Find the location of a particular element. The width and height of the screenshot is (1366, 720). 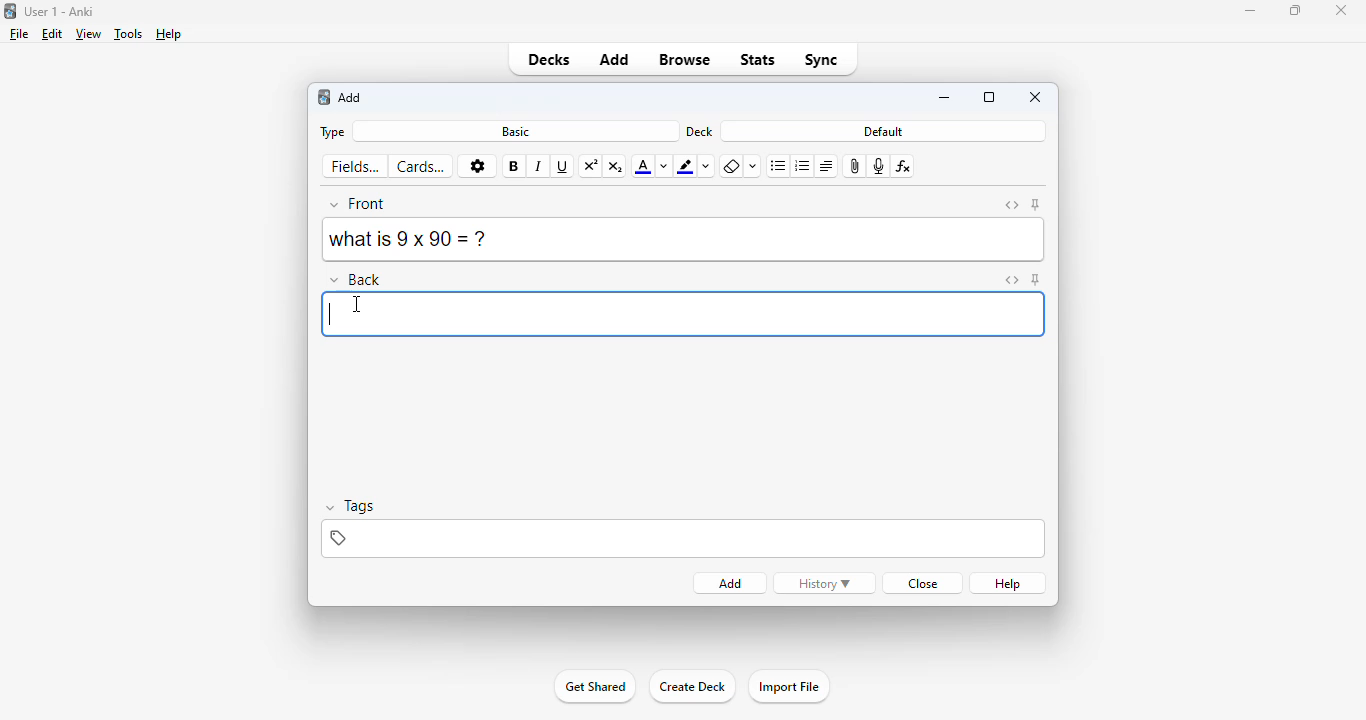

remove formatting is located at coordinates (733, 166).